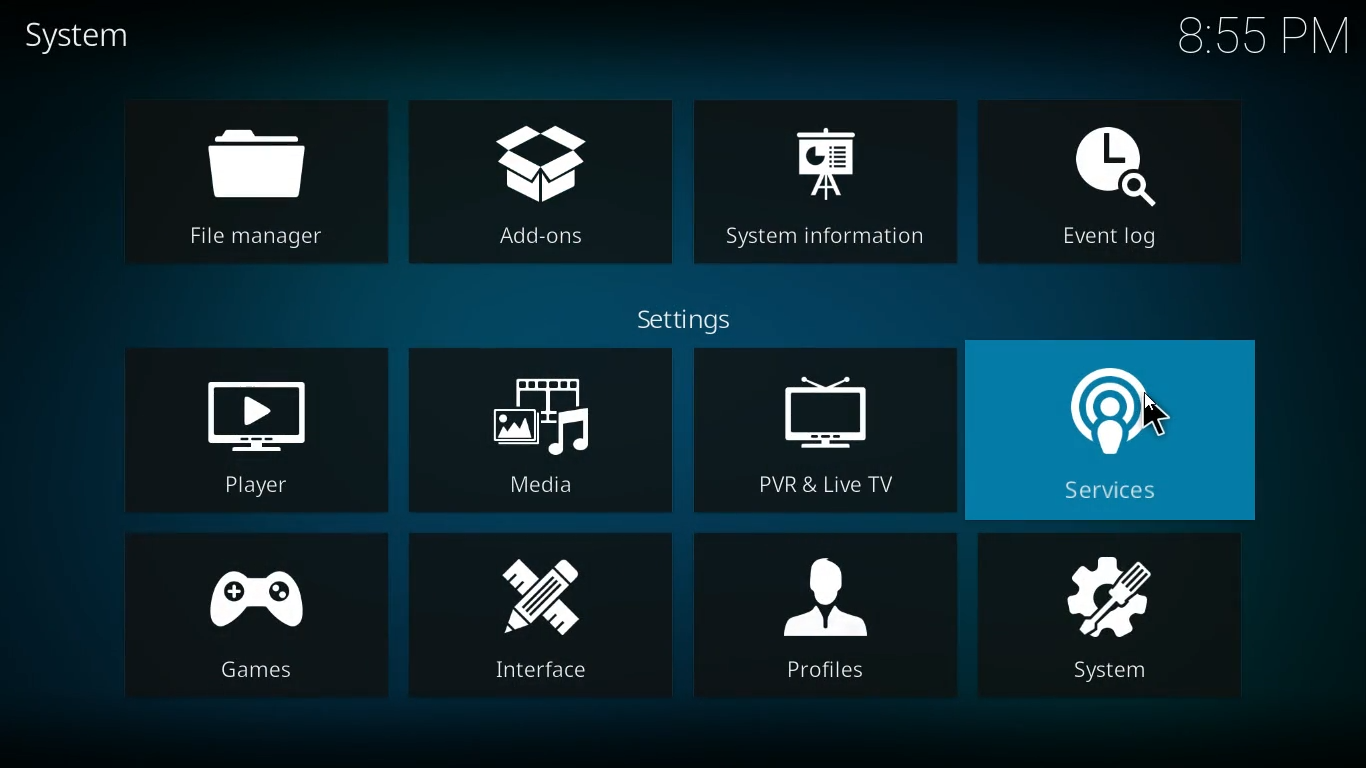 This screenshot has width=1366, height=768. What do you see at coordinates (250, 430) in the screenshot?
I see `player` at bounding box center [250, 430].